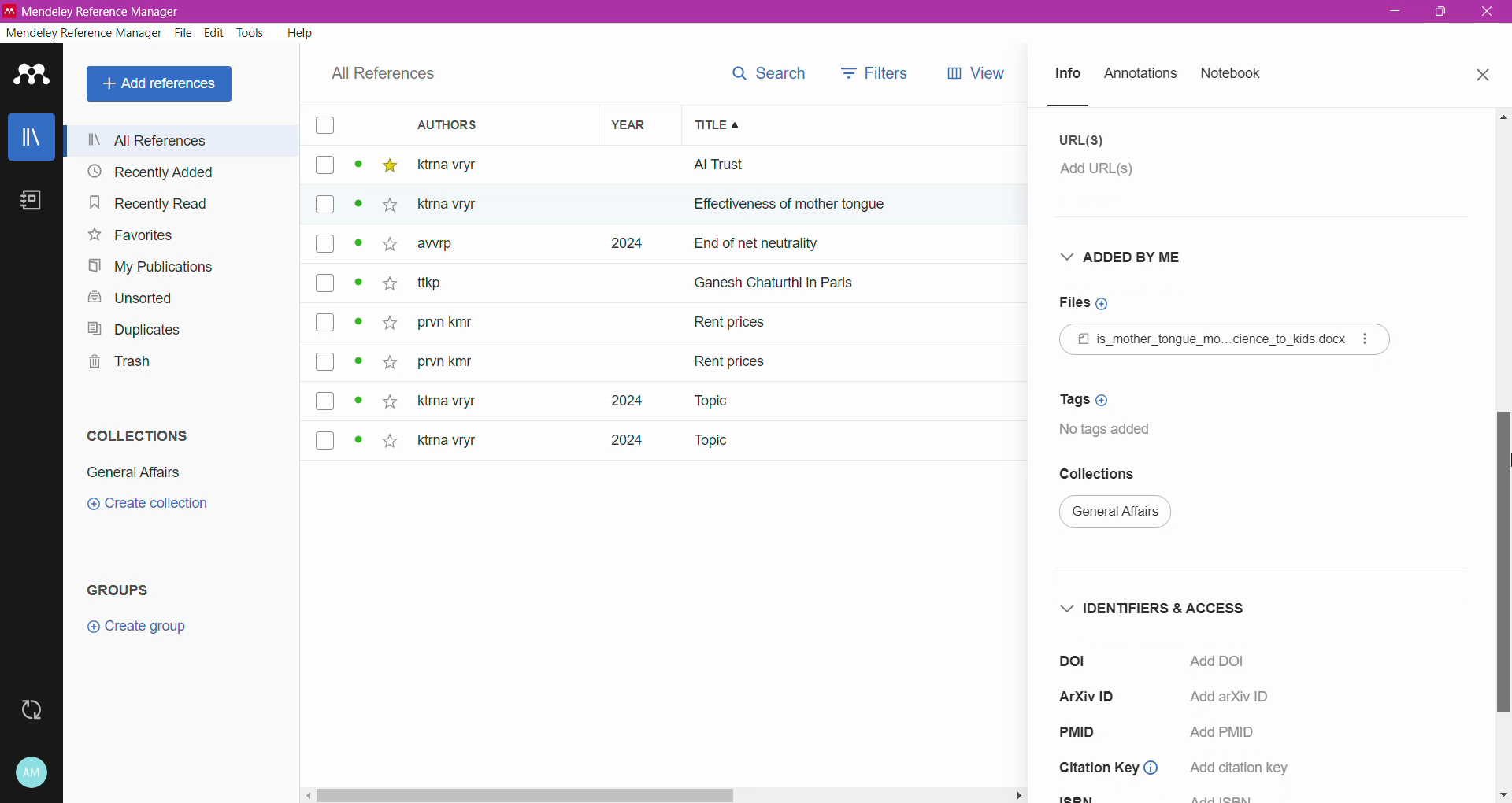 Image resolution: width=1512 pixels, height=803 pixels. I want to click on URL(S), so click(1084, 140).